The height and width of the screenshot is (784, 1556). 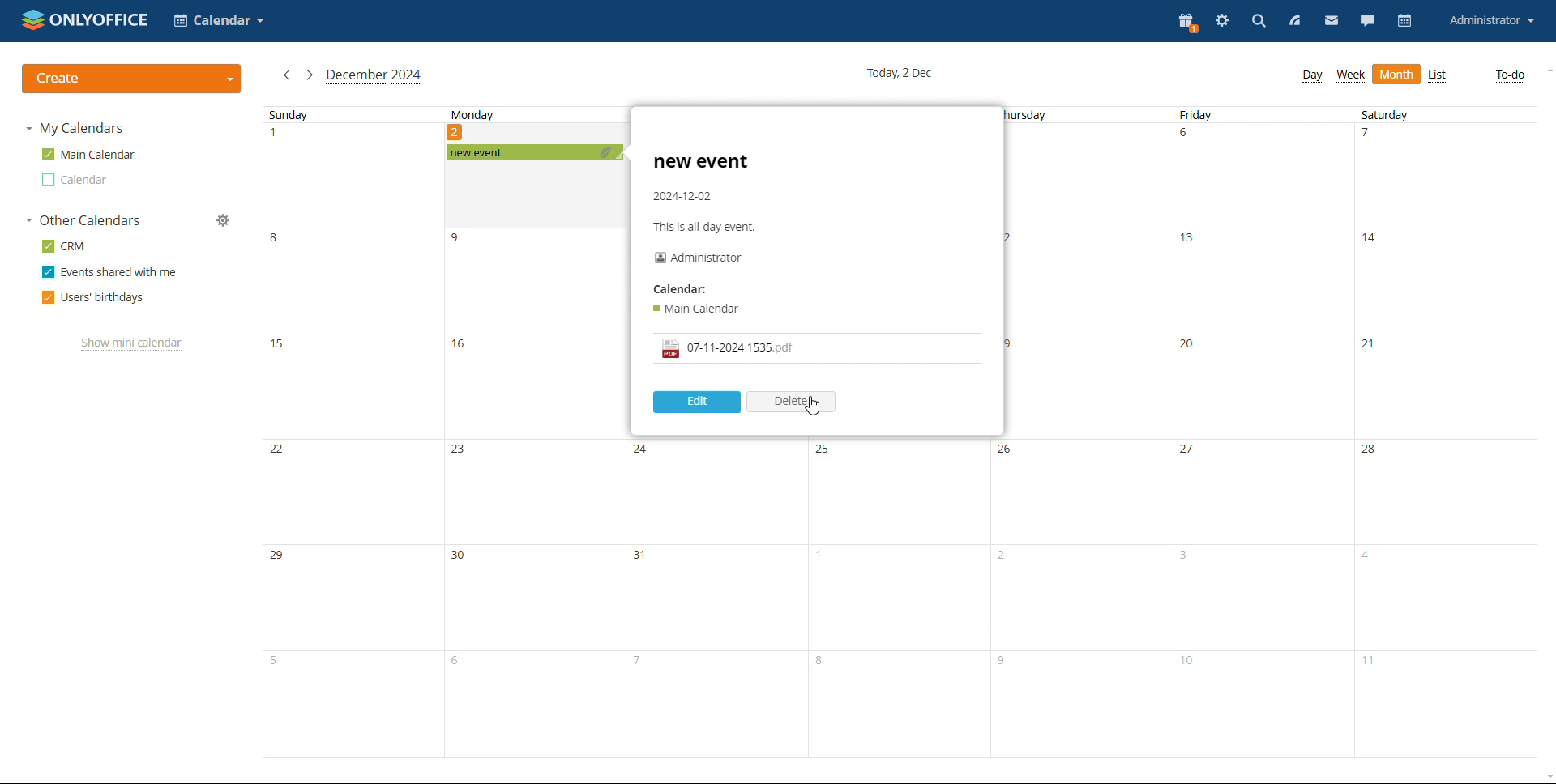 I want to click on Thursday, so click(x=1028, y=115).